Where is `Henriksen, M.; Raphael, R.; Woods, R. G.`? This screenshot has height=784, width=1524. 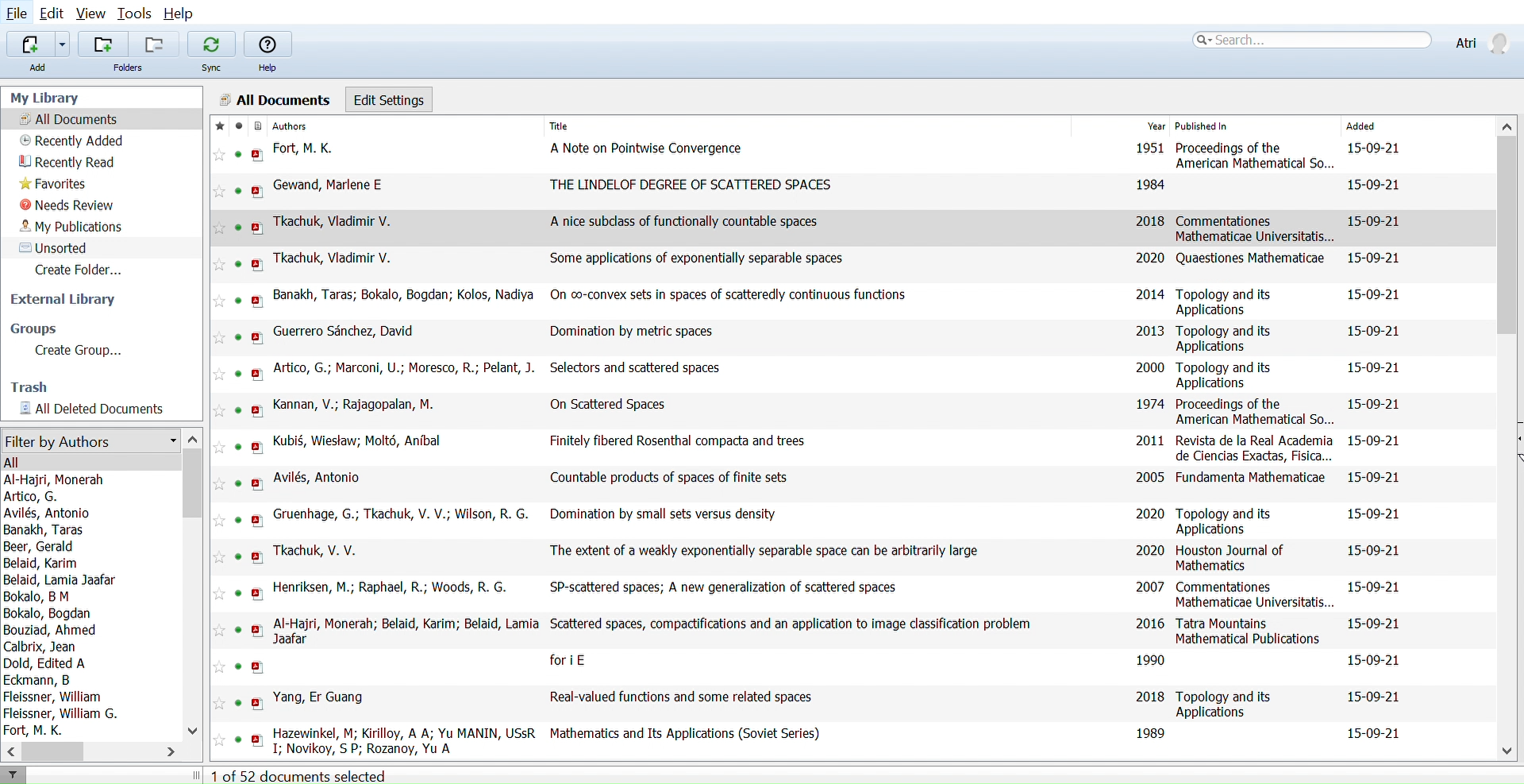
Henriksen, M.; Raphael, R.; Woods, R. G. is located at coordinates (394, 587).